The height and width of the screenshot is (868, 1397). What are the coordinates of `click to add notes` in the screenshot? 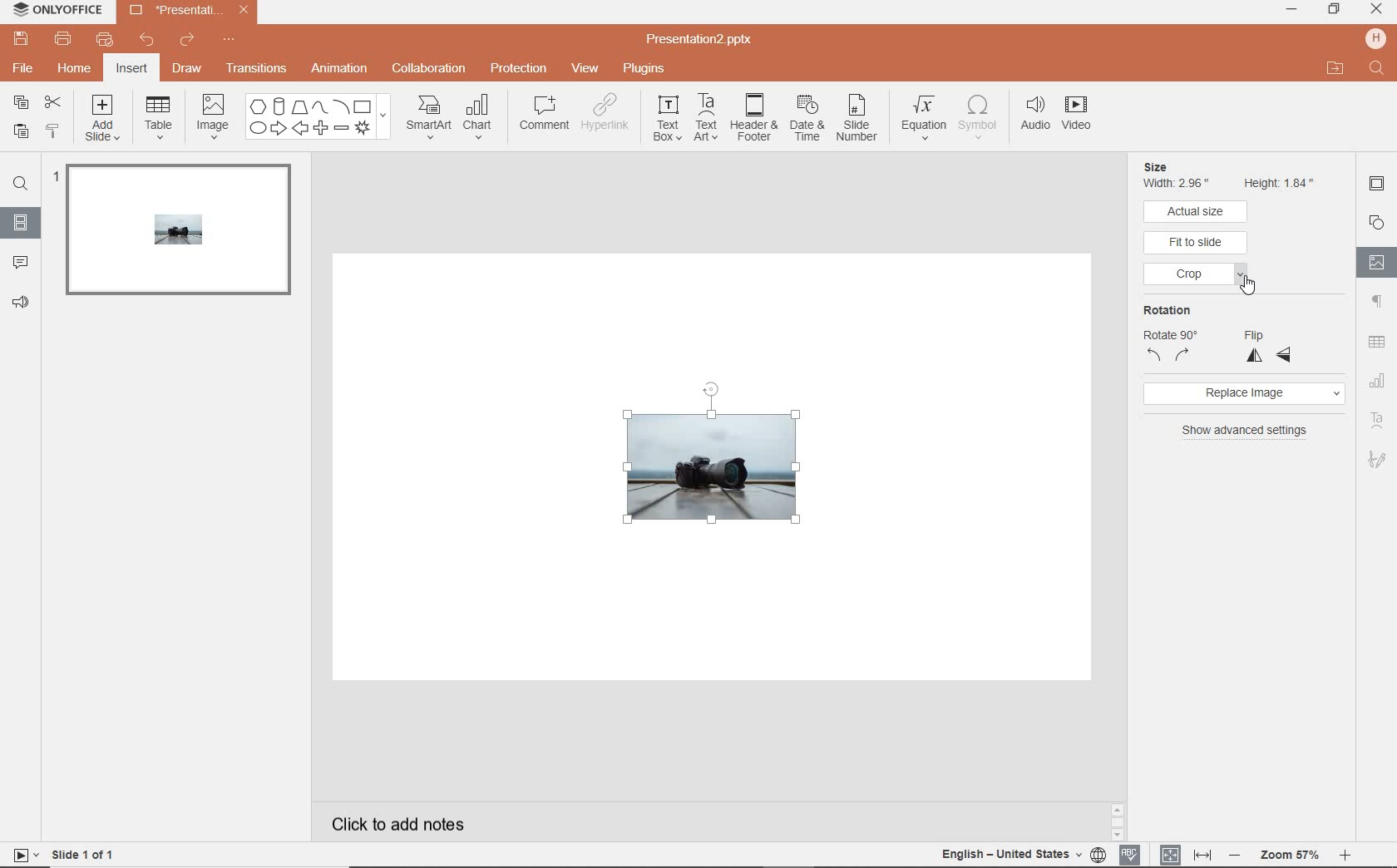 It's located at (437, 821).